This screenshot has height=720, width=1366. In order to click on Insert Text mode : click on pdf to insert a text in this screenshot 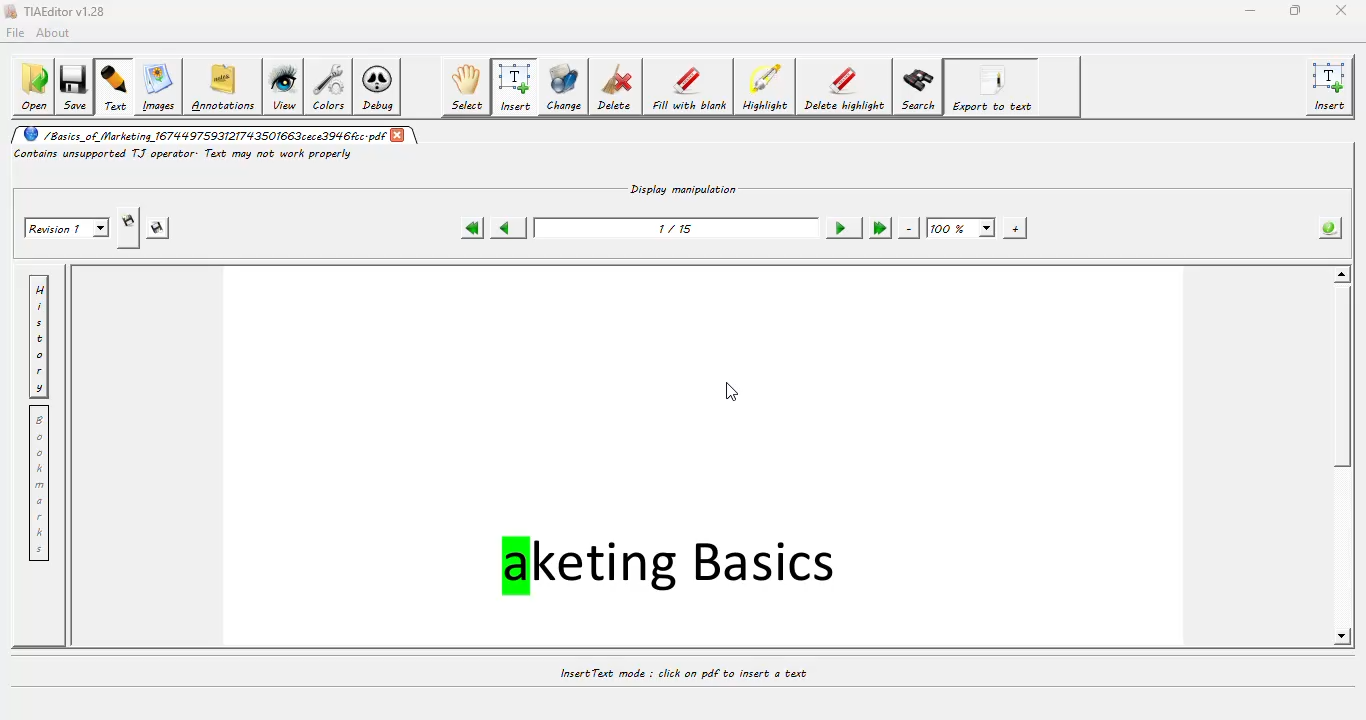, I will do `click(684, 672)`.